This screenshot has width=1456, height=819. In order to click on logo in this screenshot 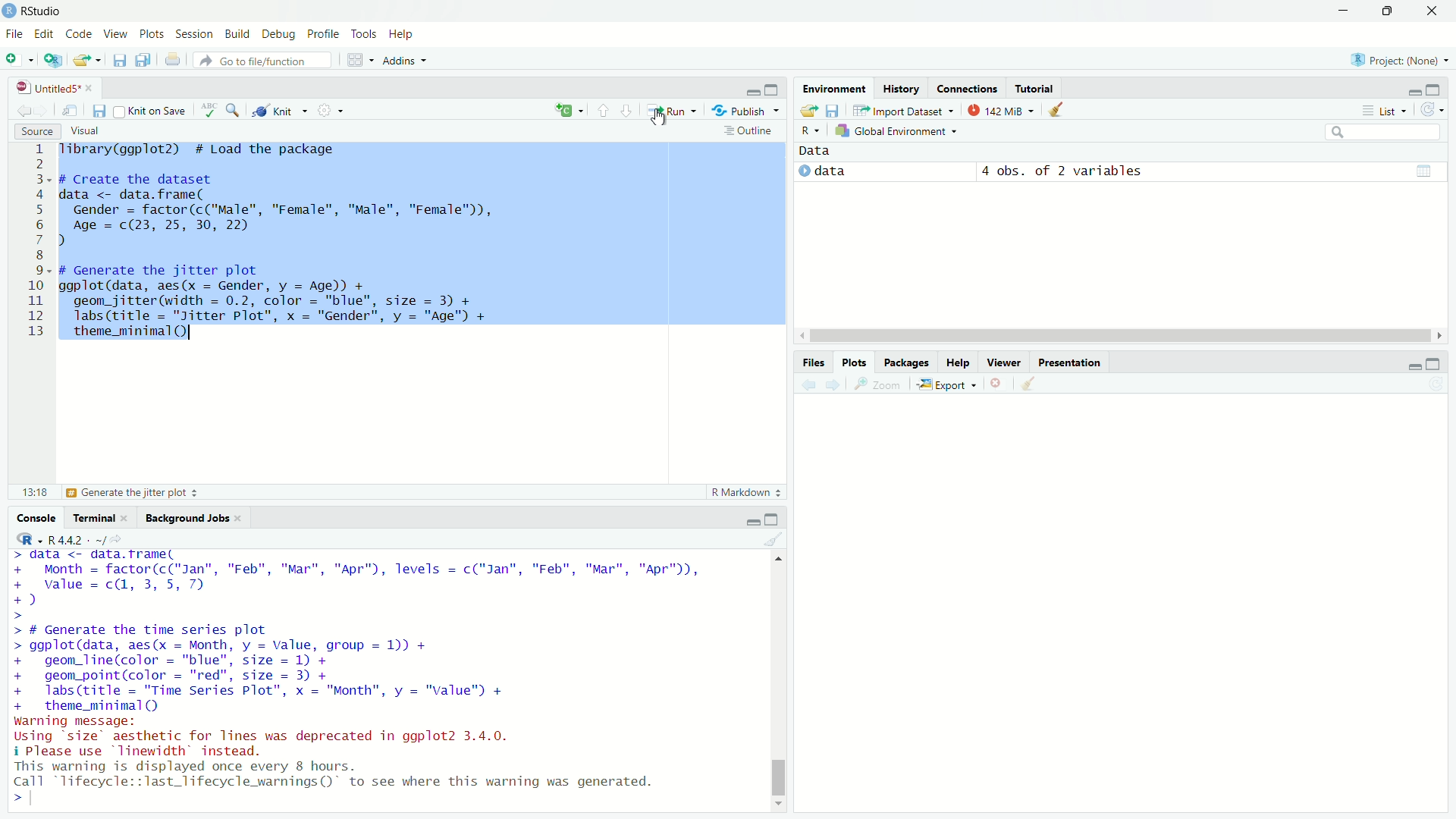, I will do `click(9, 11)`.